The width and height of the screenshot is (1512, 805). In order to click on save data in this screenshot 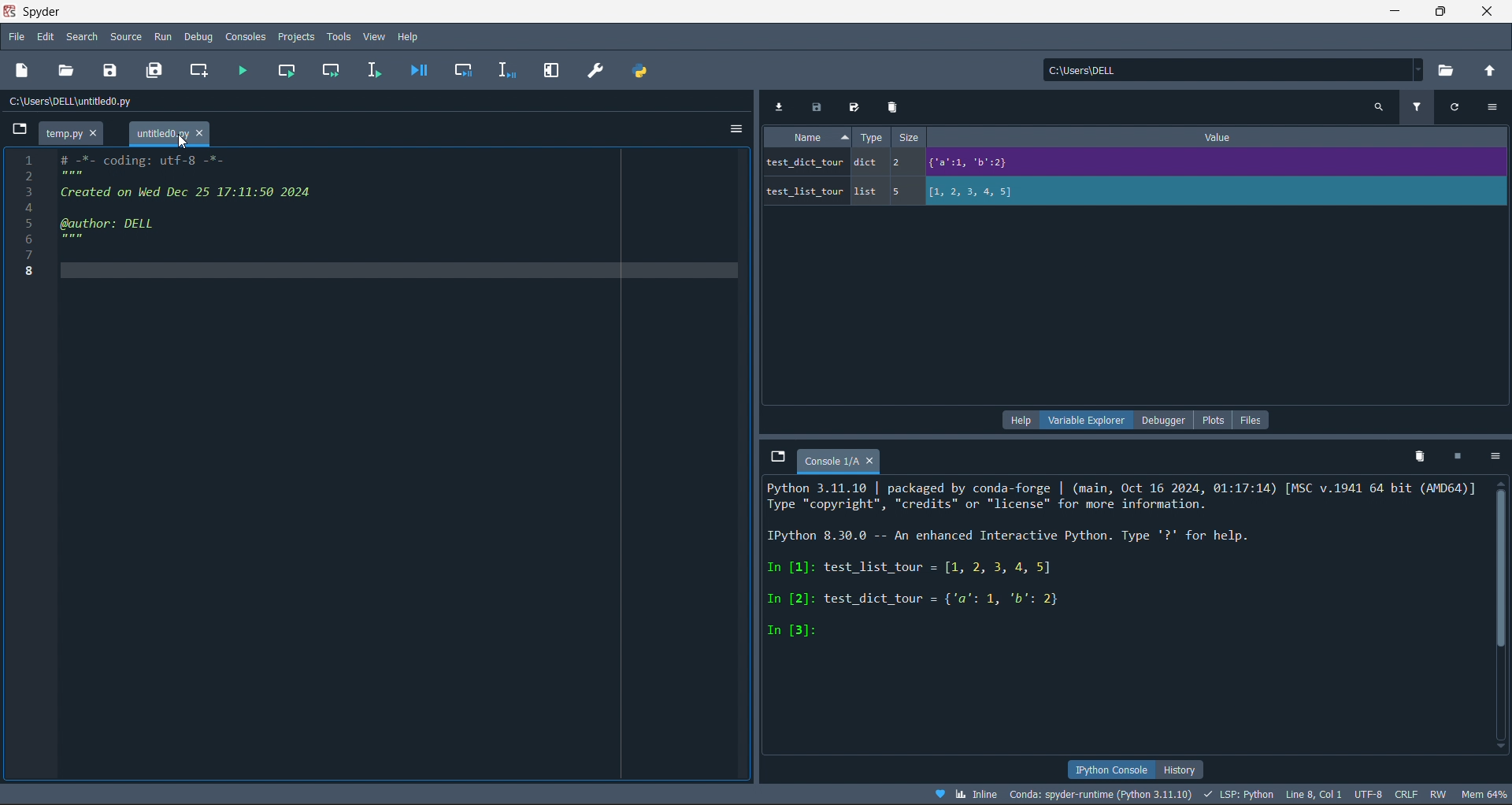, I will do `click(815, 104)`.